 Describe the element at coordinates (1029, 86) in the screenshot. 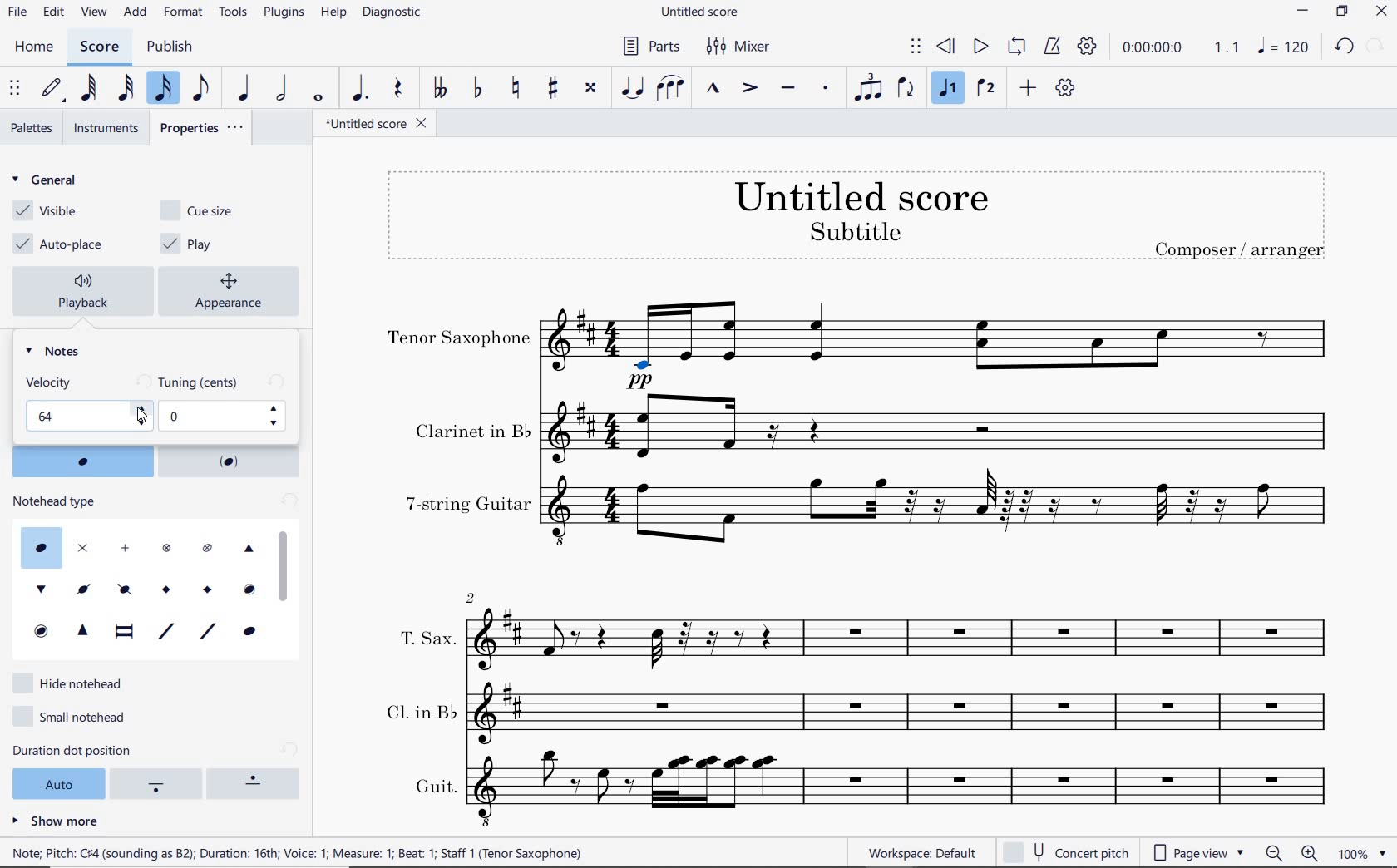

I see `ADD` at that location.